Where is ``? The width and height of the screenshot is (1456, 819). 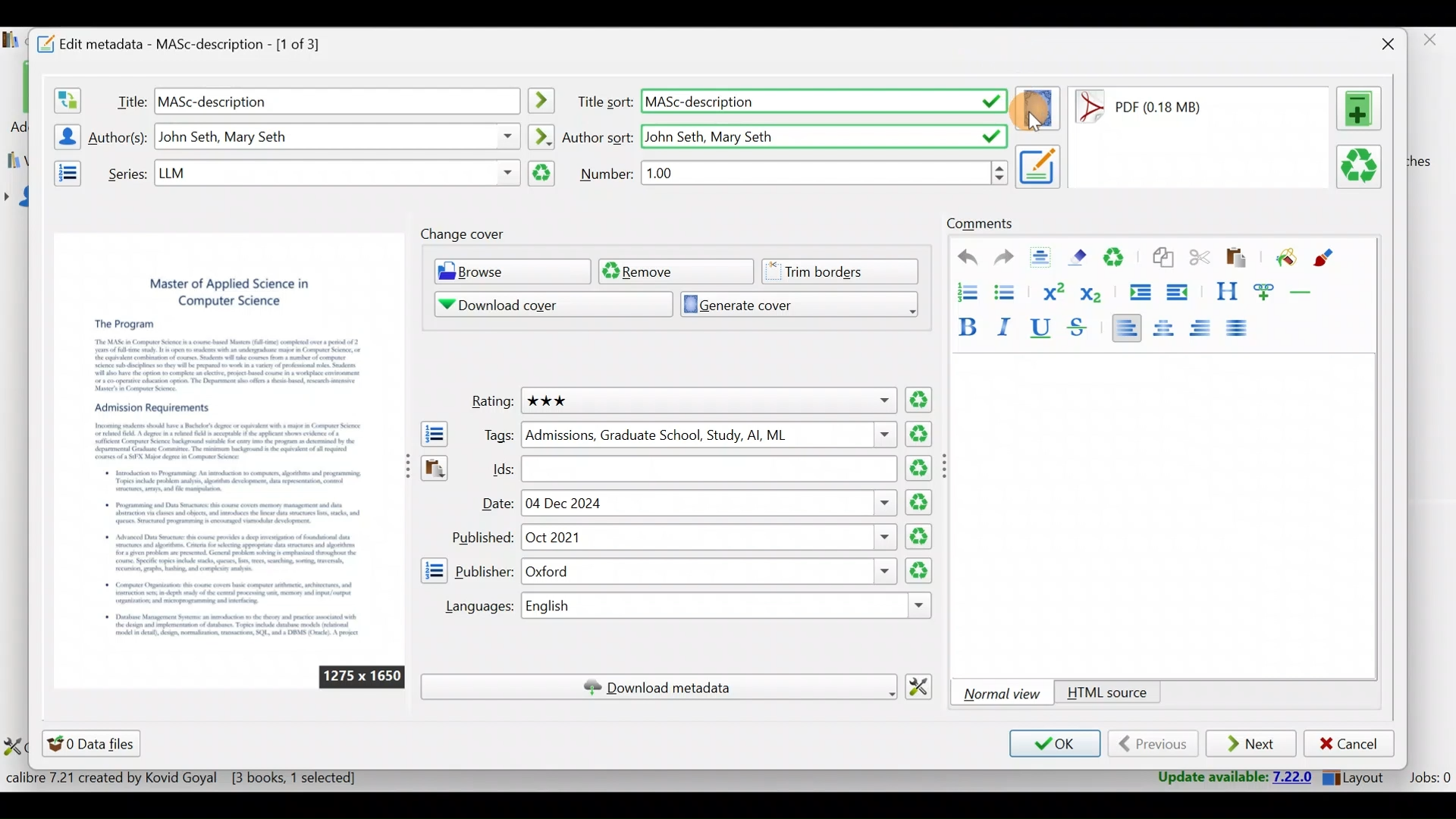
 is located at coordinates (338, 136).